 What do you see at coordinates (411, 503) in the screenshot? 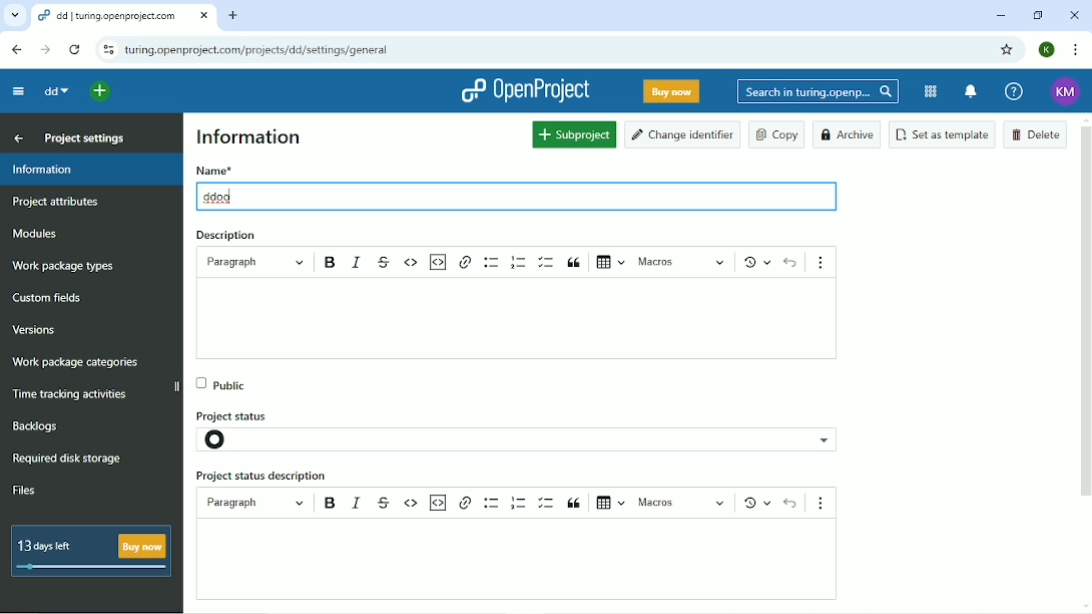
I see `code` at bounding box center [411, 503].